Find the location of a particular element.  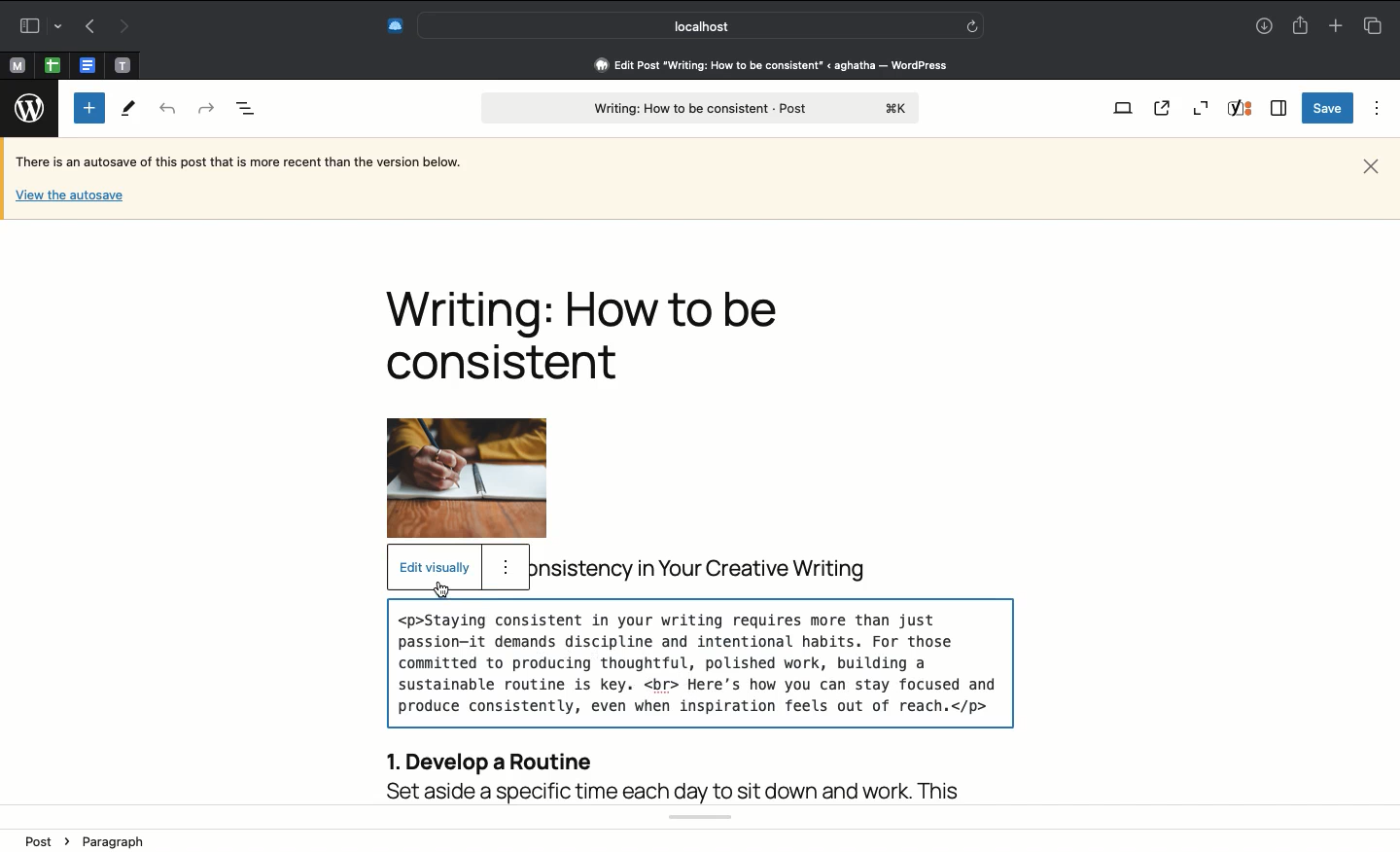

Close is located at coordinates (1371, 164).